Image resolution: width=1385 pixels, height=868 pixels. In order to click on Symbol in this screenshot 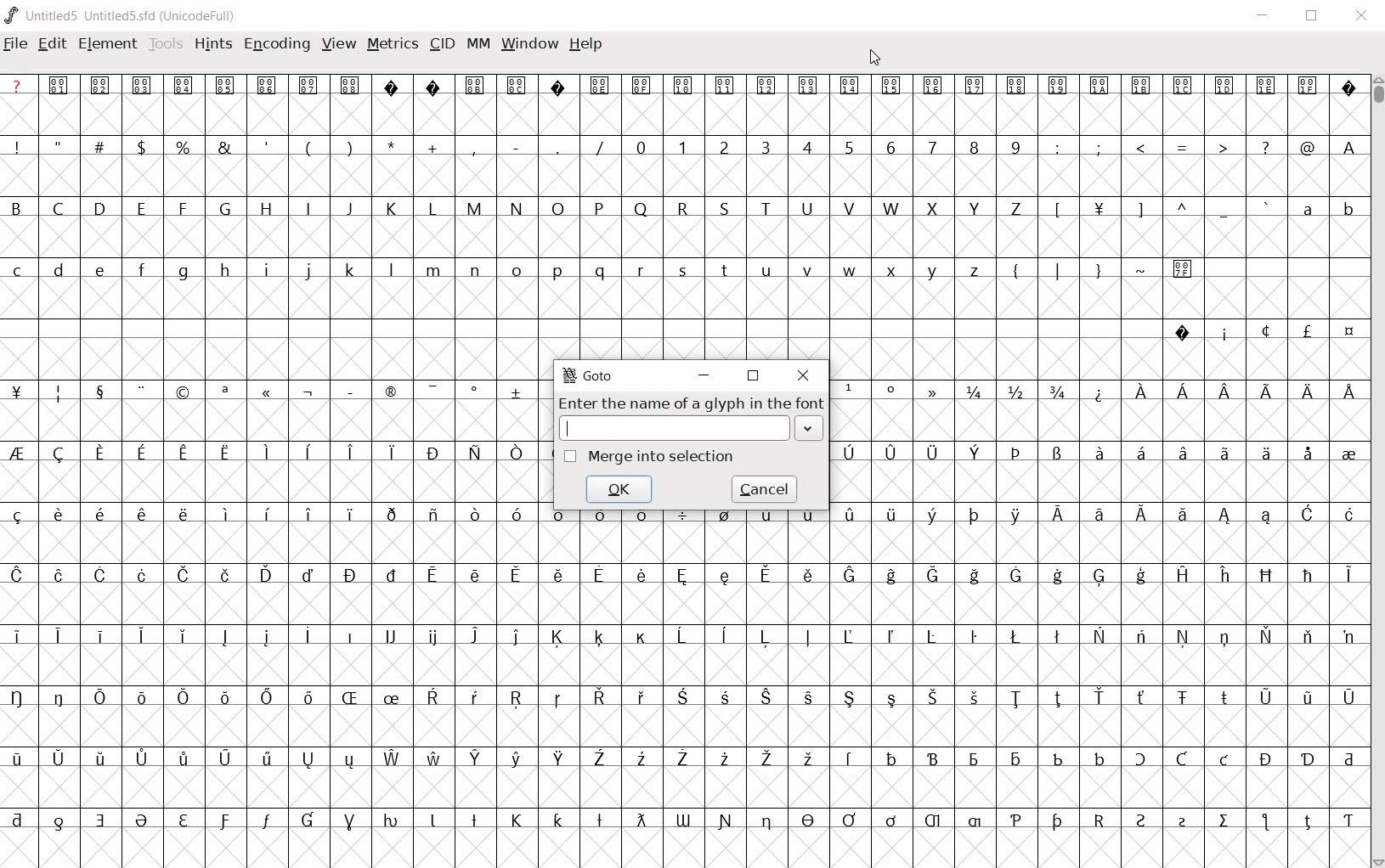, I will do `click(1143, 760)`.